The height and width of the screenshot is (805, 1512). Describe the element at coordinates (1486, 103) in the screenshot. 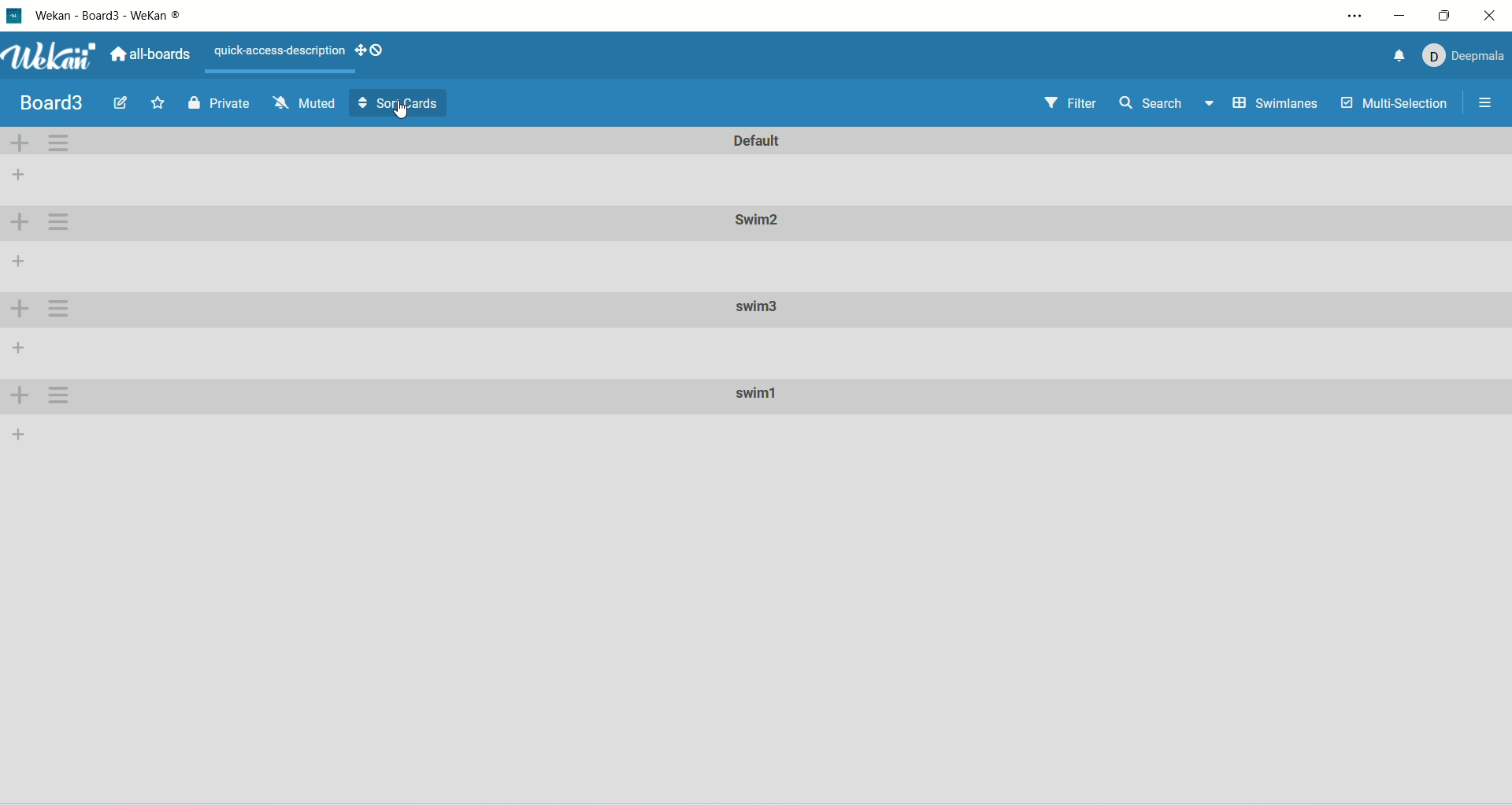

I see `options` at that location.